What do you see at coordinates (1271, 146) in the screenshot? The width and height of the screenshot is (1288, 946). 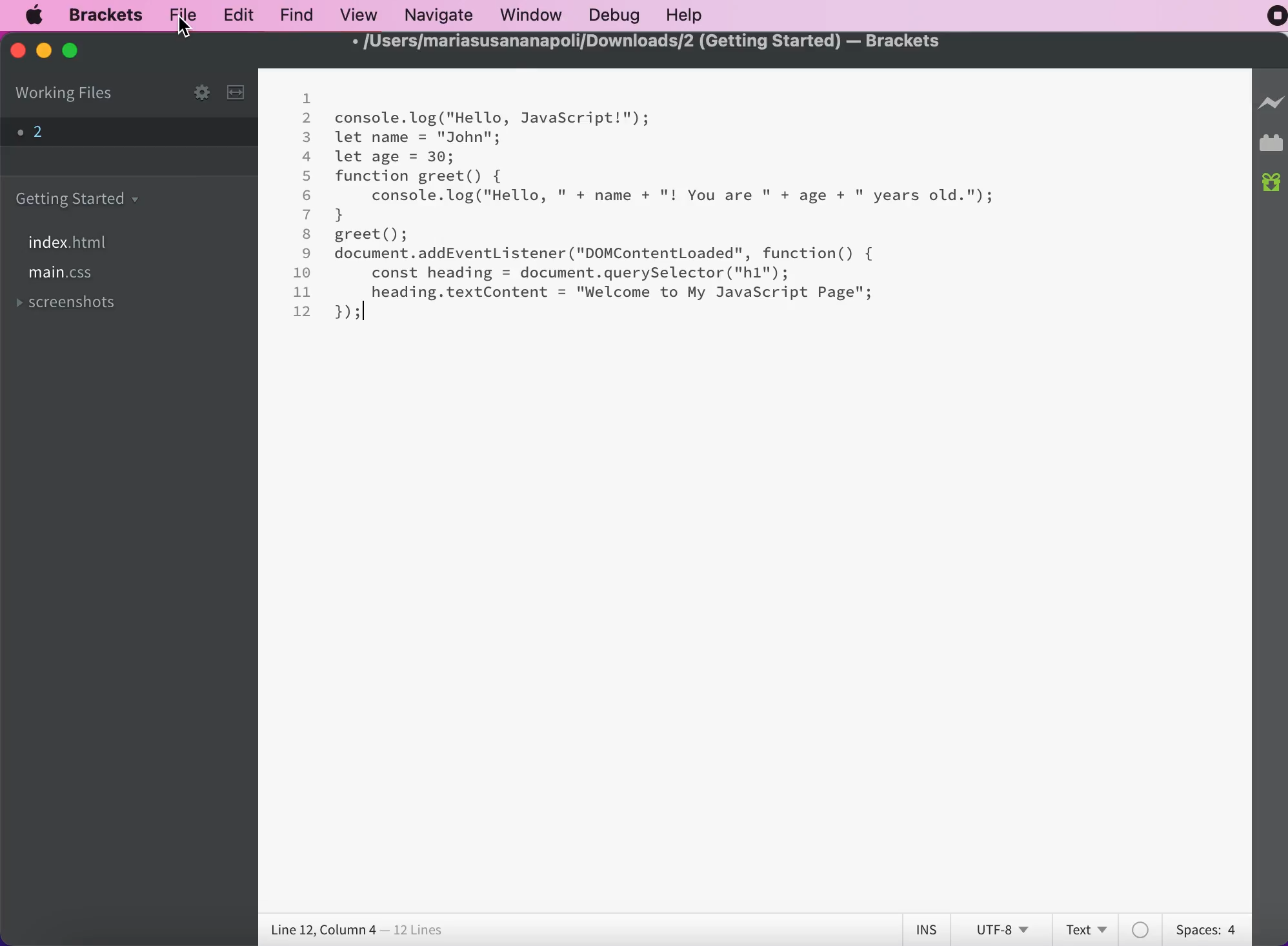 I see `extension manager` at bounding box center [1271, 146].